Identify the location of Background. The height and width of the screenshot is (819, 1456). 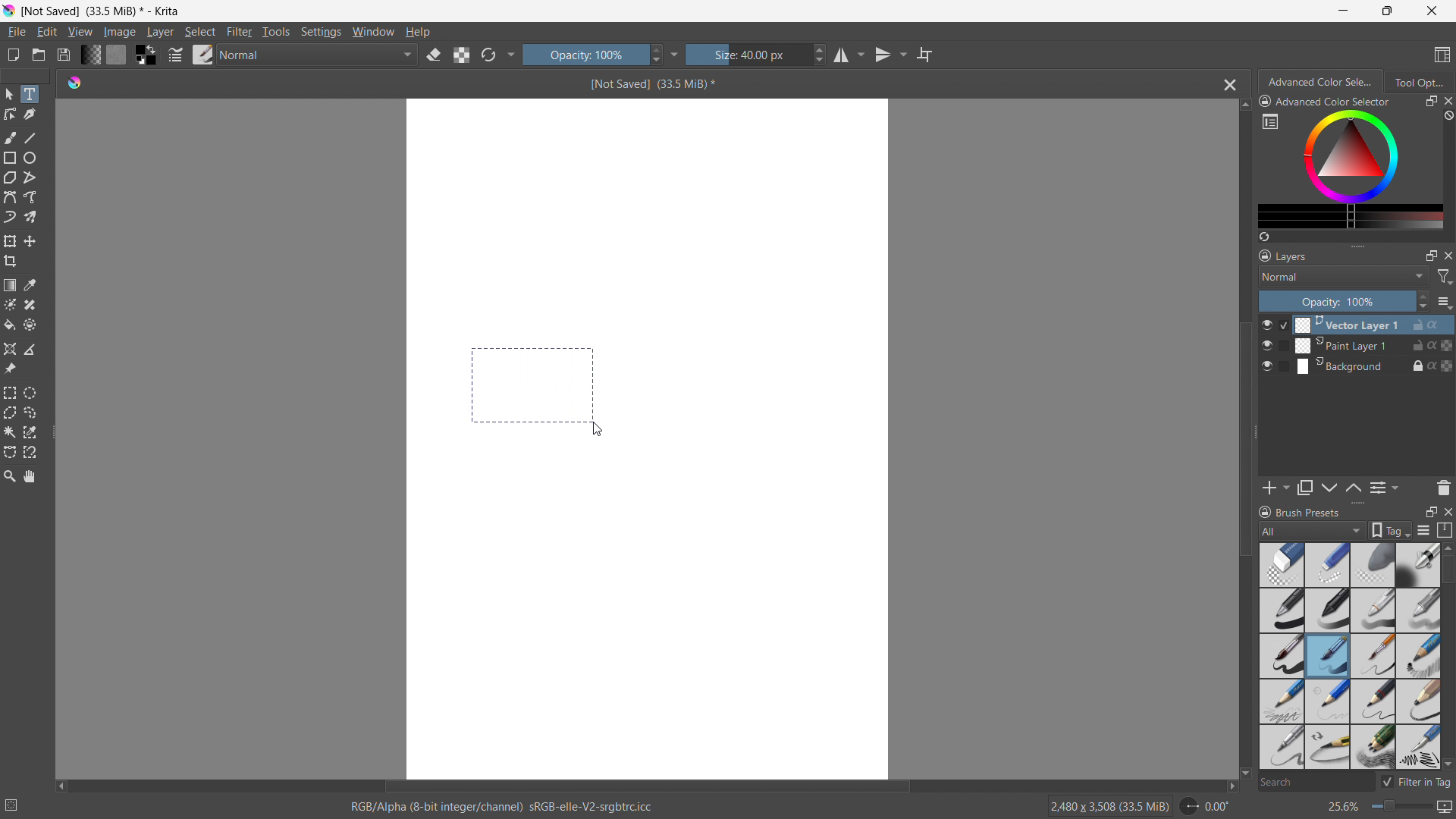
(1365, 366).